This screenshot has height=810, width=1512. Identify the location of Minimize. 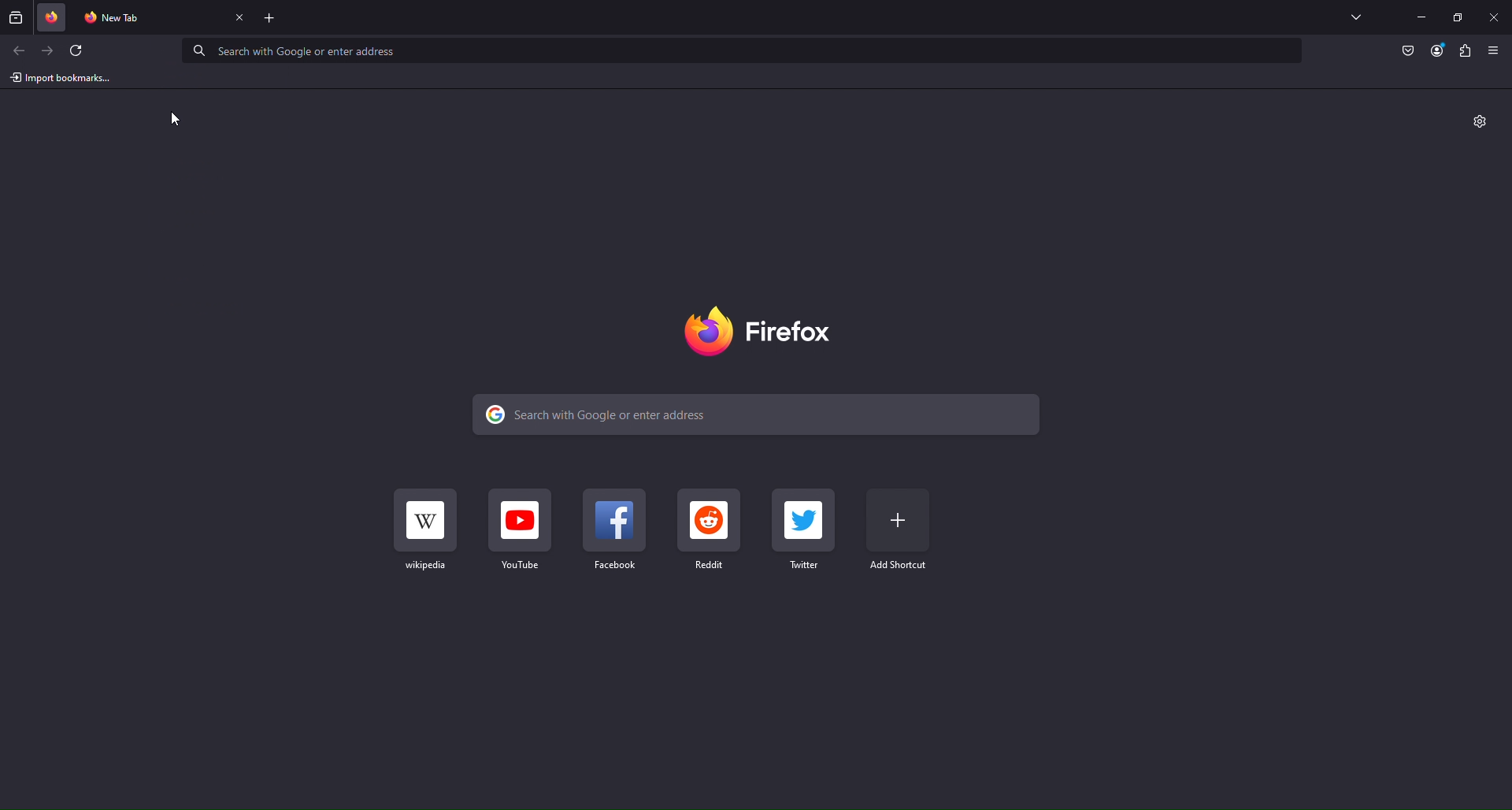
(1421, 17).